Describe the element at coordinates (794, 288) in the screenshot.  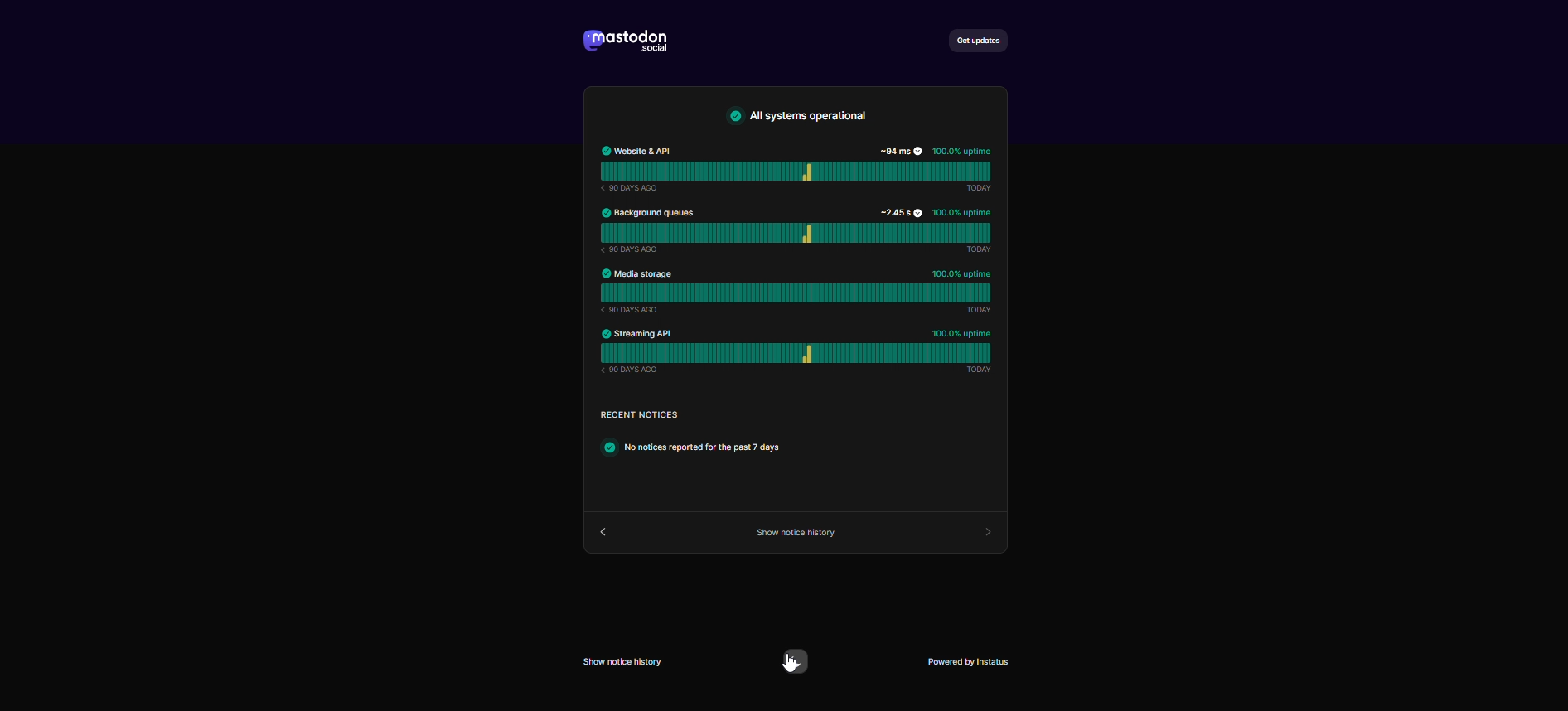
I see `media storage` at that location.